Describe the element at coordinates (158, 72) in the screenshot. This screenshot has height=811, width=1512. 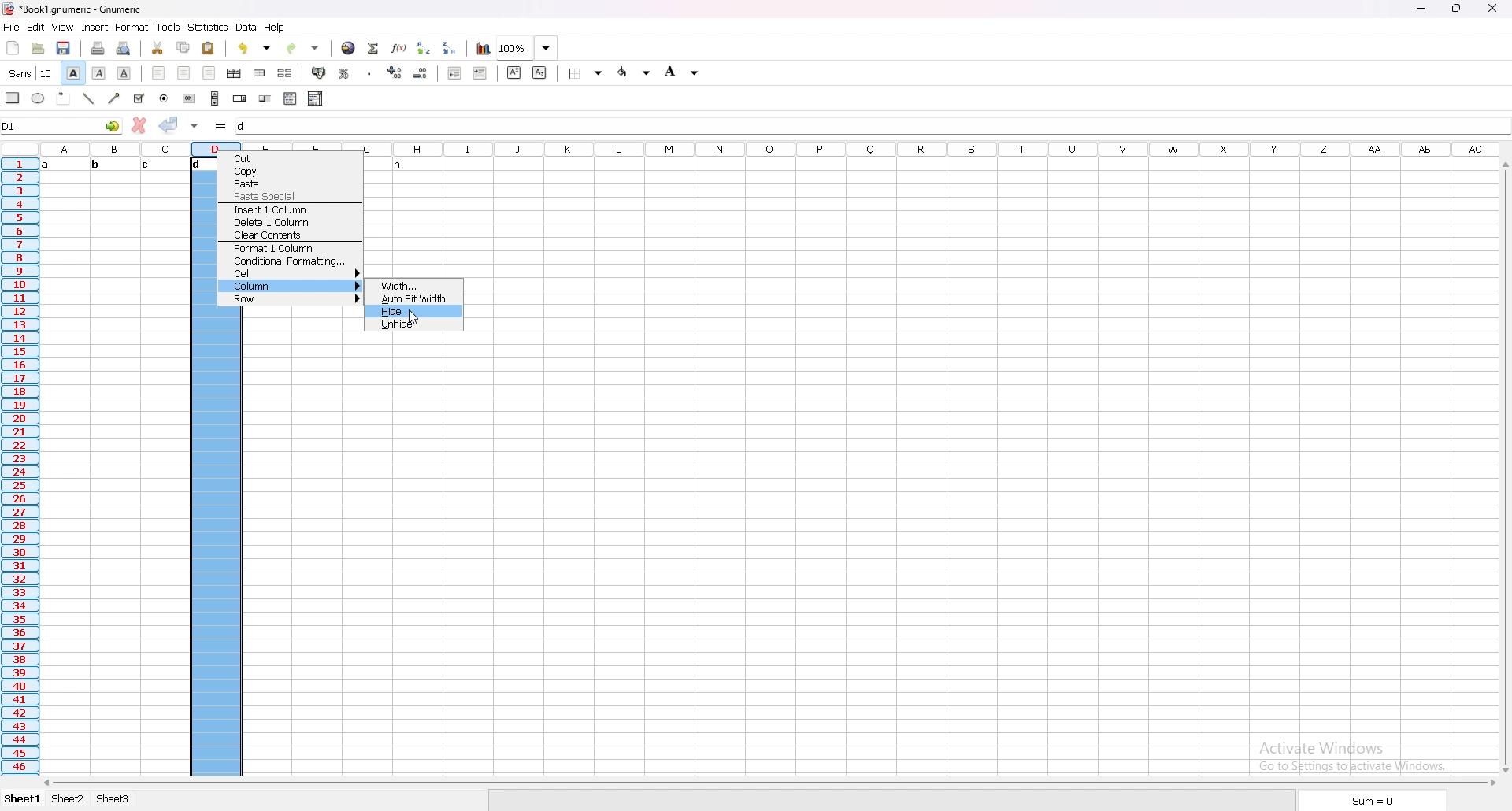
I see `left align` at that location.